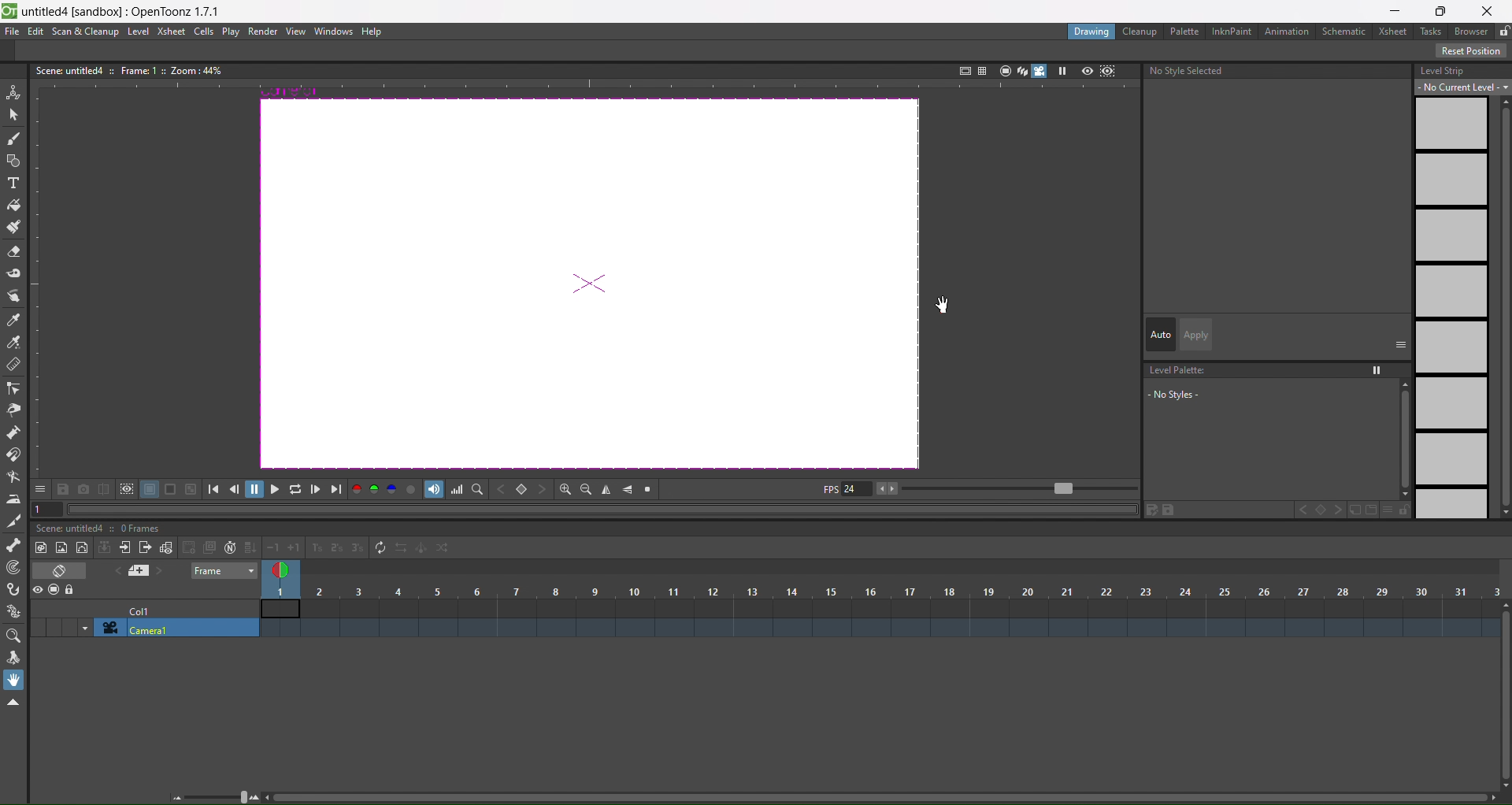  What do you see at coordinates (205, 31) in the screenshot?
I see `cells` at bounding box center [205, 31].